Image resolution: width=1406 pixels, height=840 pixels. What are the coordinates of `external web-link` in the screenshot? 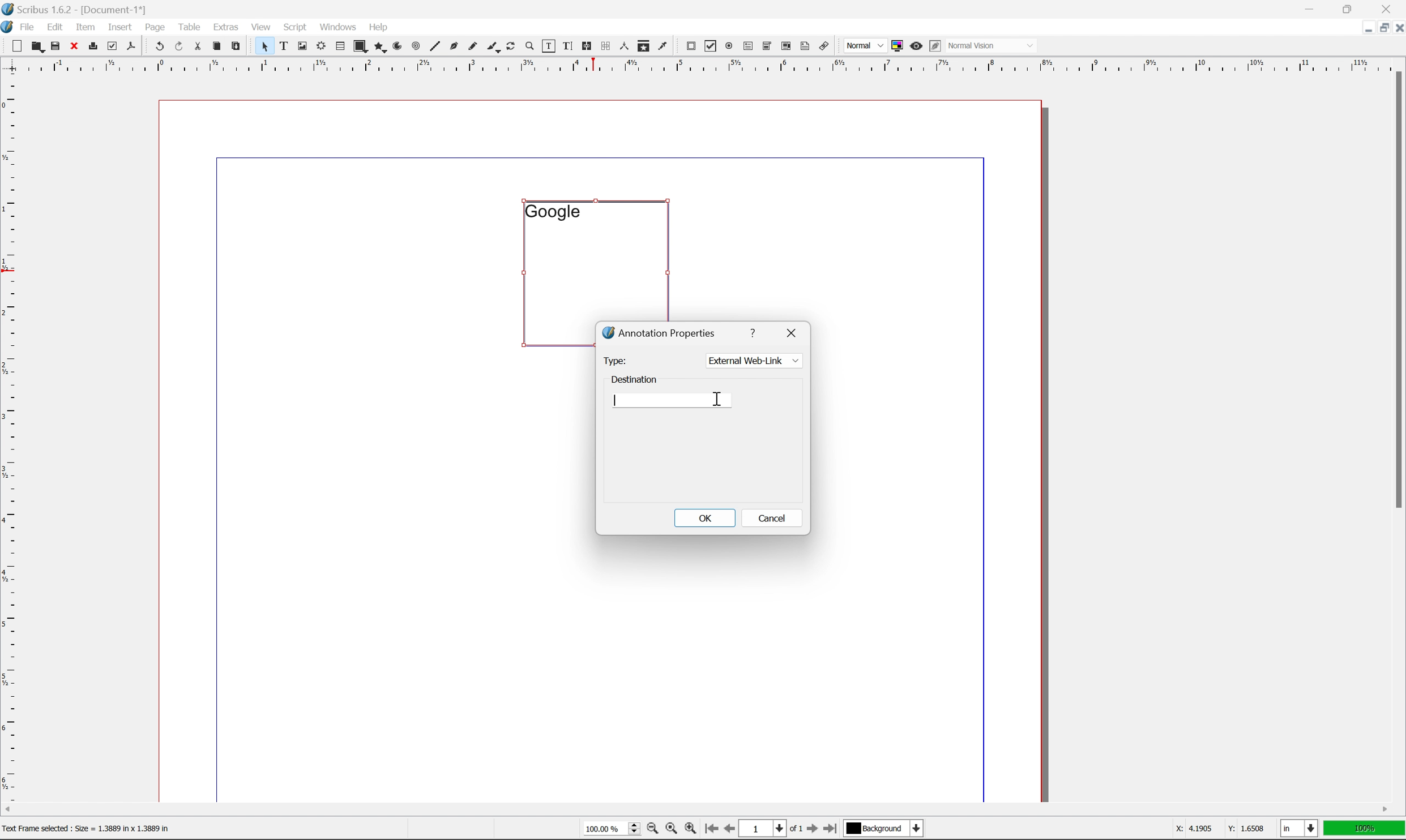 It's located at (753, 361).